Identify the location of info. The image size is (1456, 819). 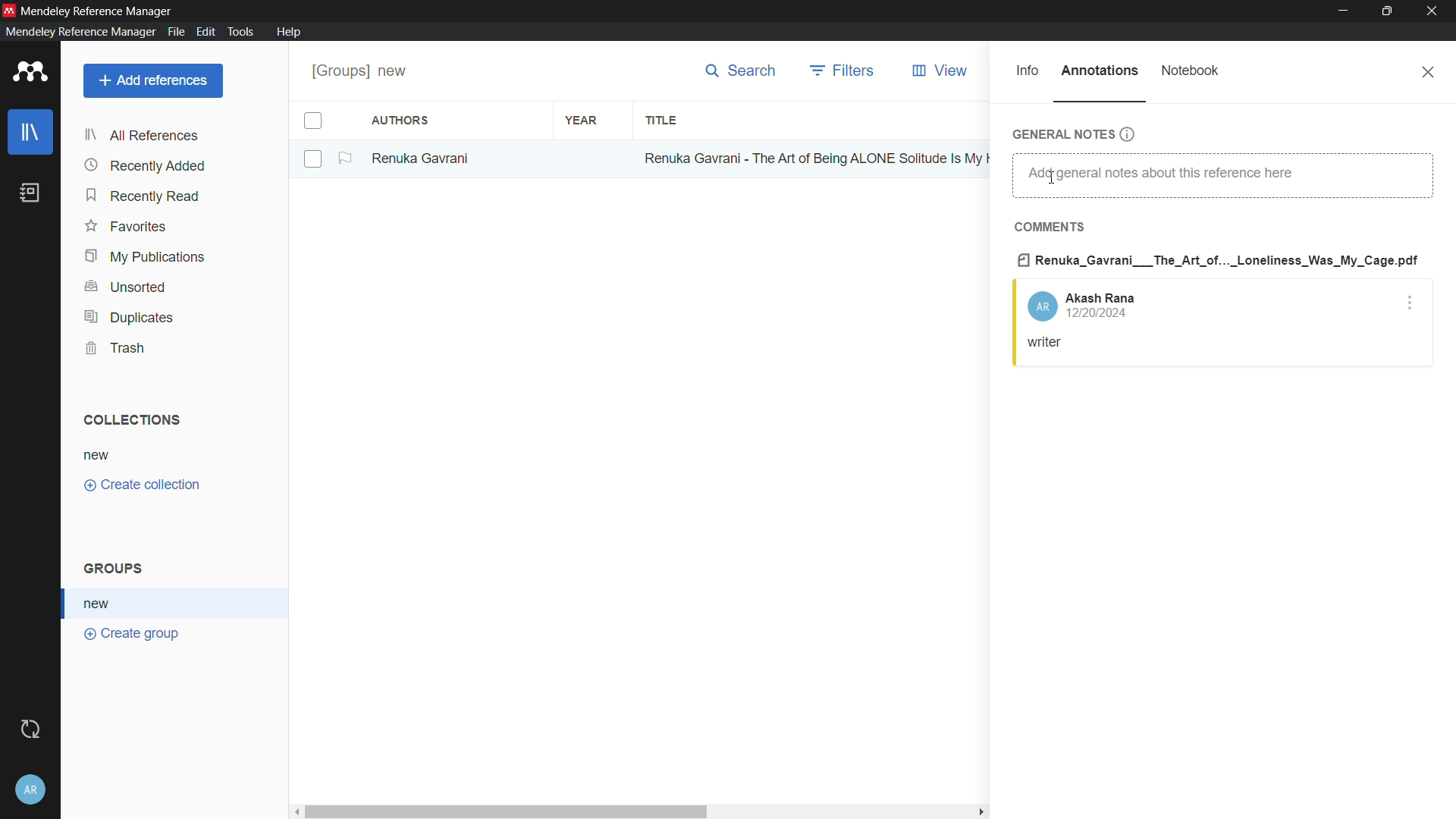
(1028, 71).